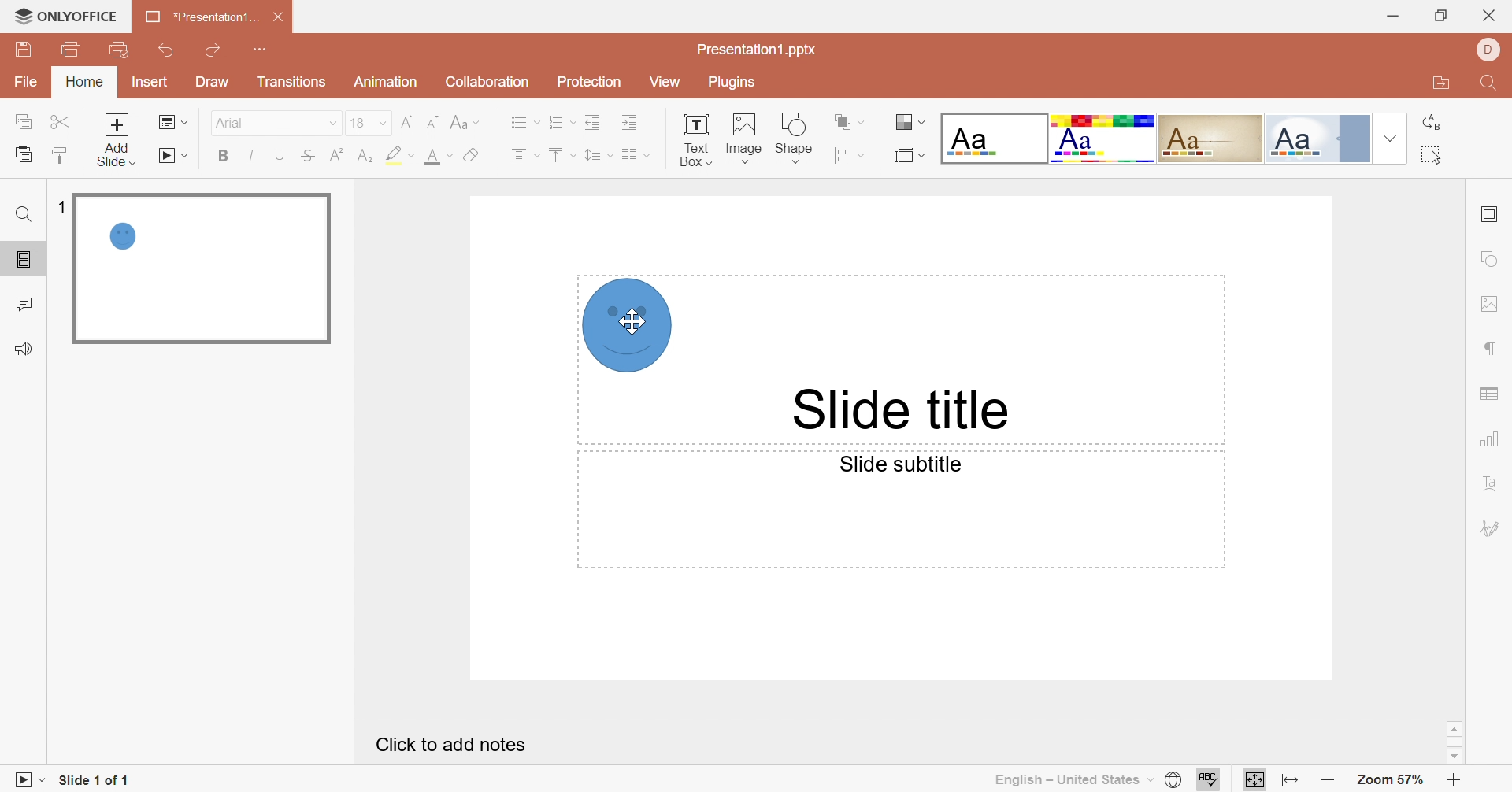 The image size is (1512, 792). Describe the element at coordinates (1432, 157) in the screenshot. I see `Select all` at that location.